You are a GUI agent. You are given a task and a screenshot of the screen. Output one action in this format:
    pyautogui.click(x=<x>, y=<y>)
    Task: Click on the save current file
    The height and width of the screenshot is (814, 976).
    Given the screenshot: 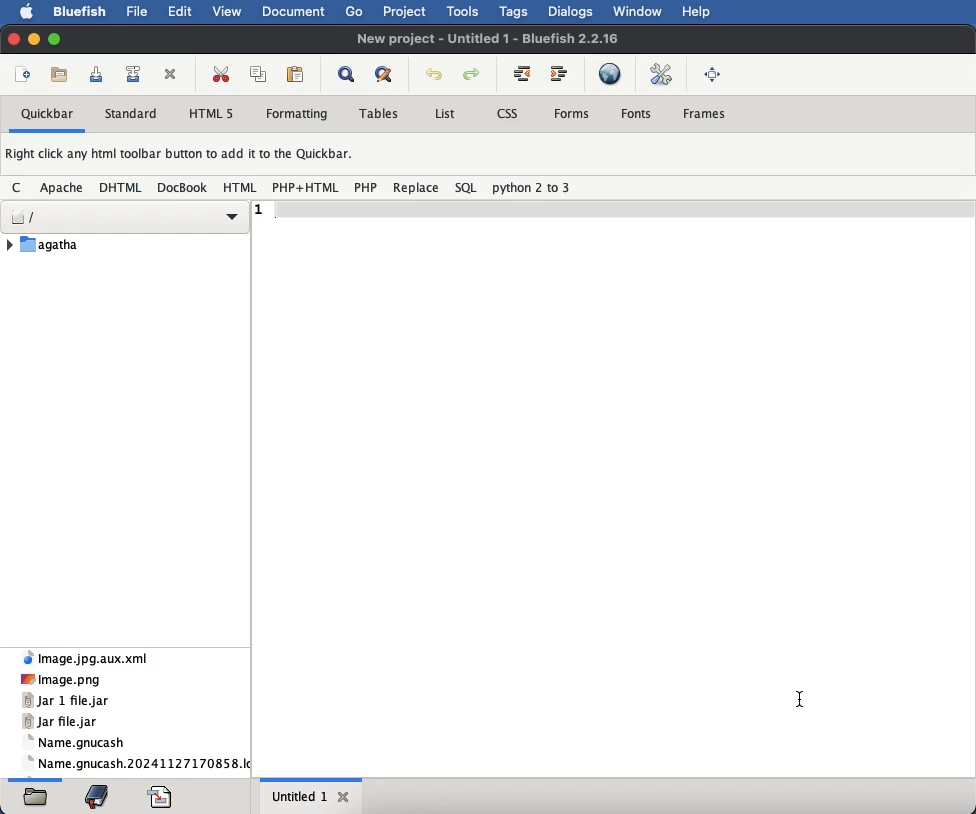 What is the action you would take?
    pyautogui.click(x=96, y=74)
    